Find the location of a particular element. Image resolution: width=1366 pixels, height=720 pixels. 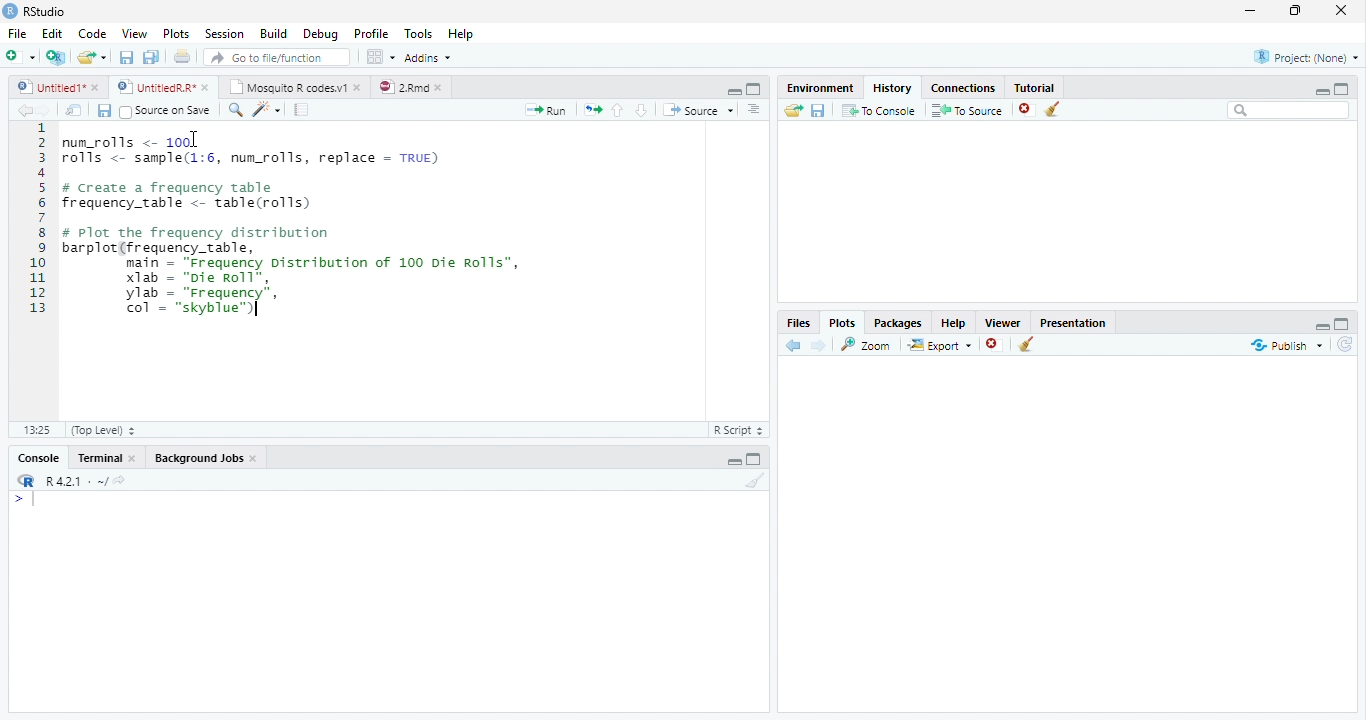

Expand Height is located at coordinates (755, 459).